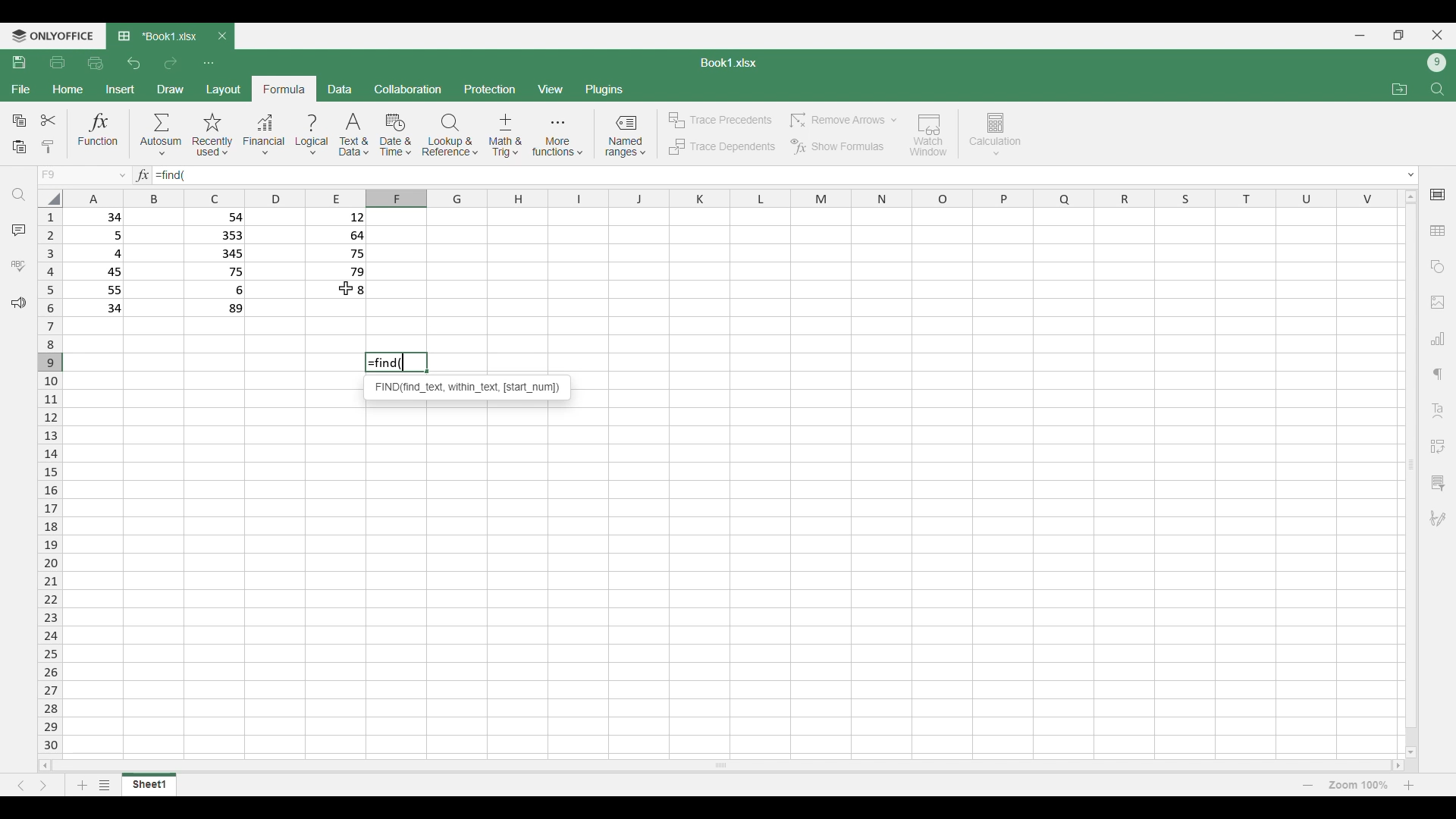  What do you see at coordinates (842, 121) in the screenshot?
I see `Remove arrow` at bounding box center [842, 121].